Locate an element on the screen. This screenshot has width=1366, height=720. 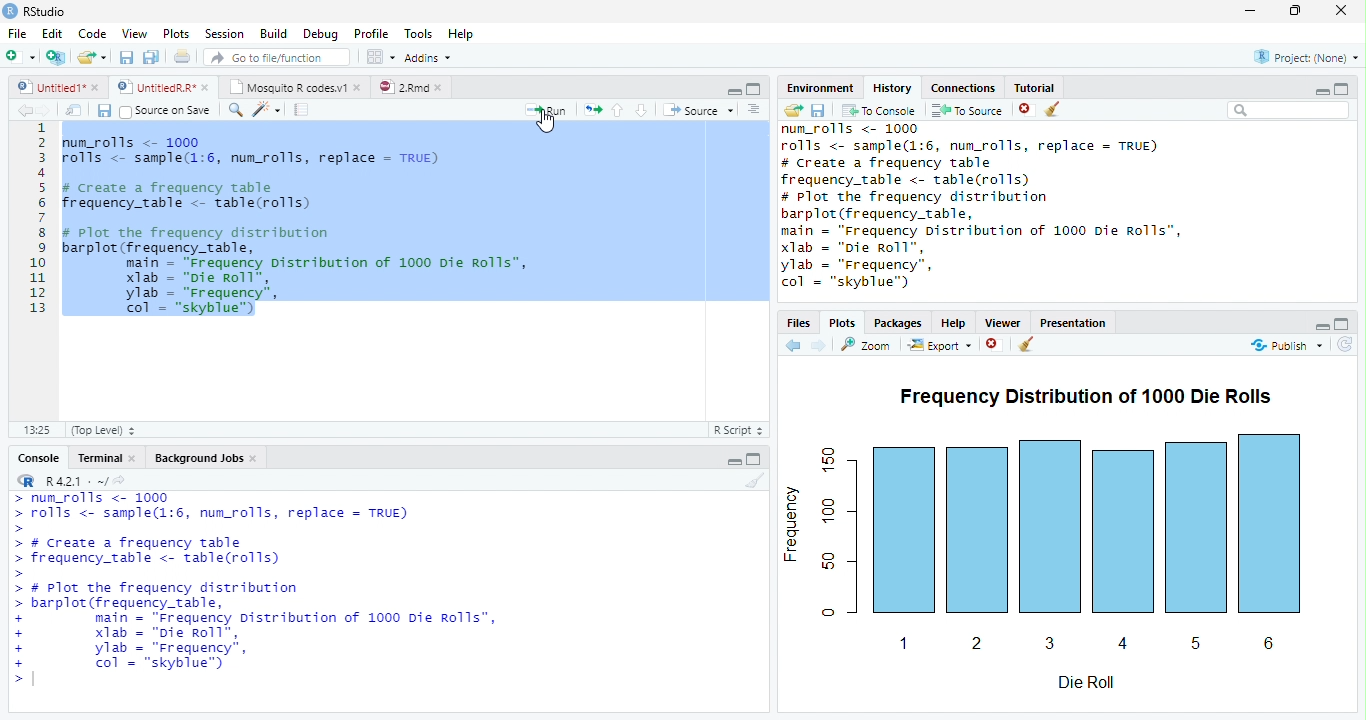
Open an existing file is located at coordinates (92, 57).